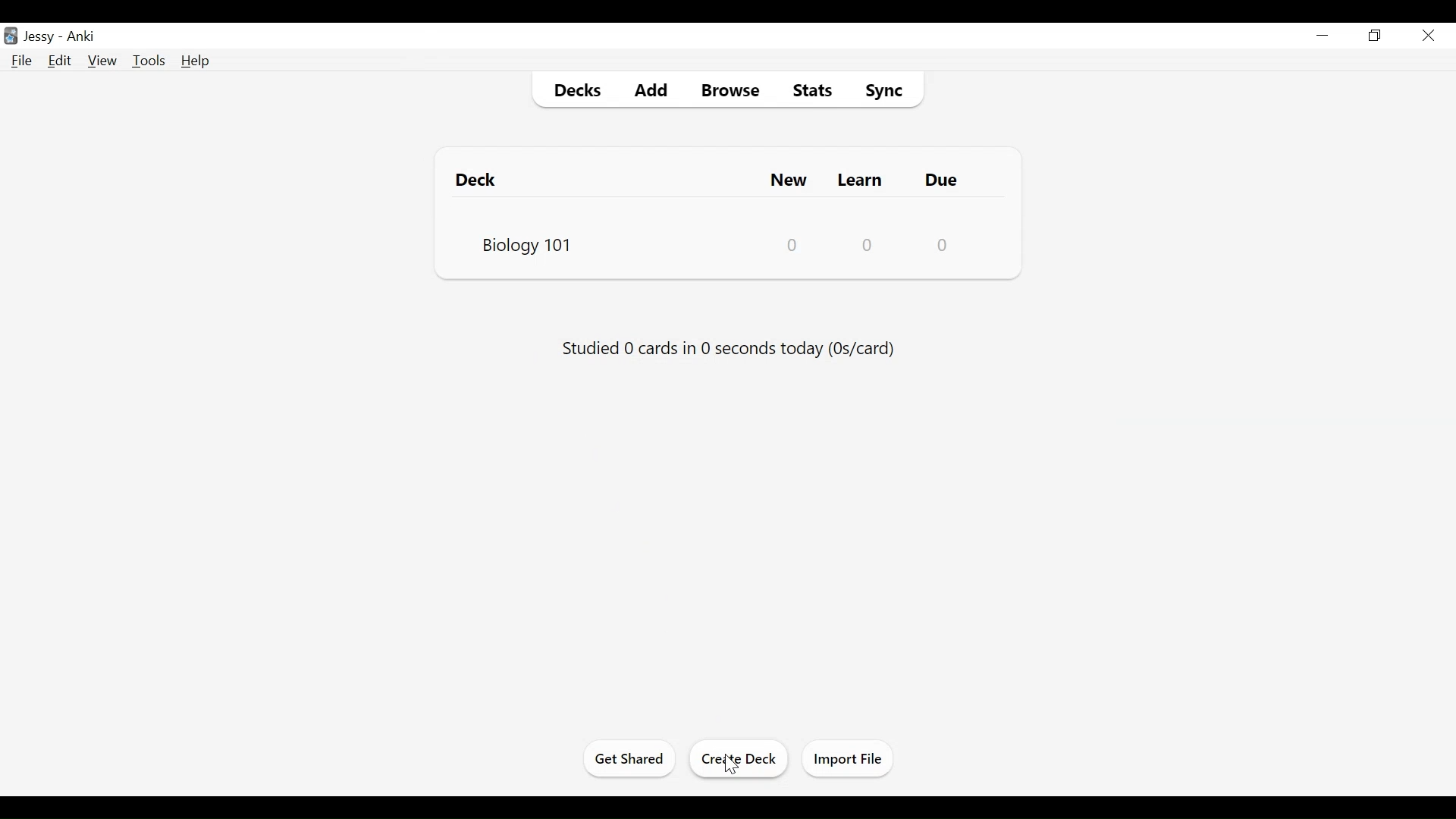 Image resolution: width=1456 pixels, height=819 pixels. I want to click on minimize, so click(1323, 34).